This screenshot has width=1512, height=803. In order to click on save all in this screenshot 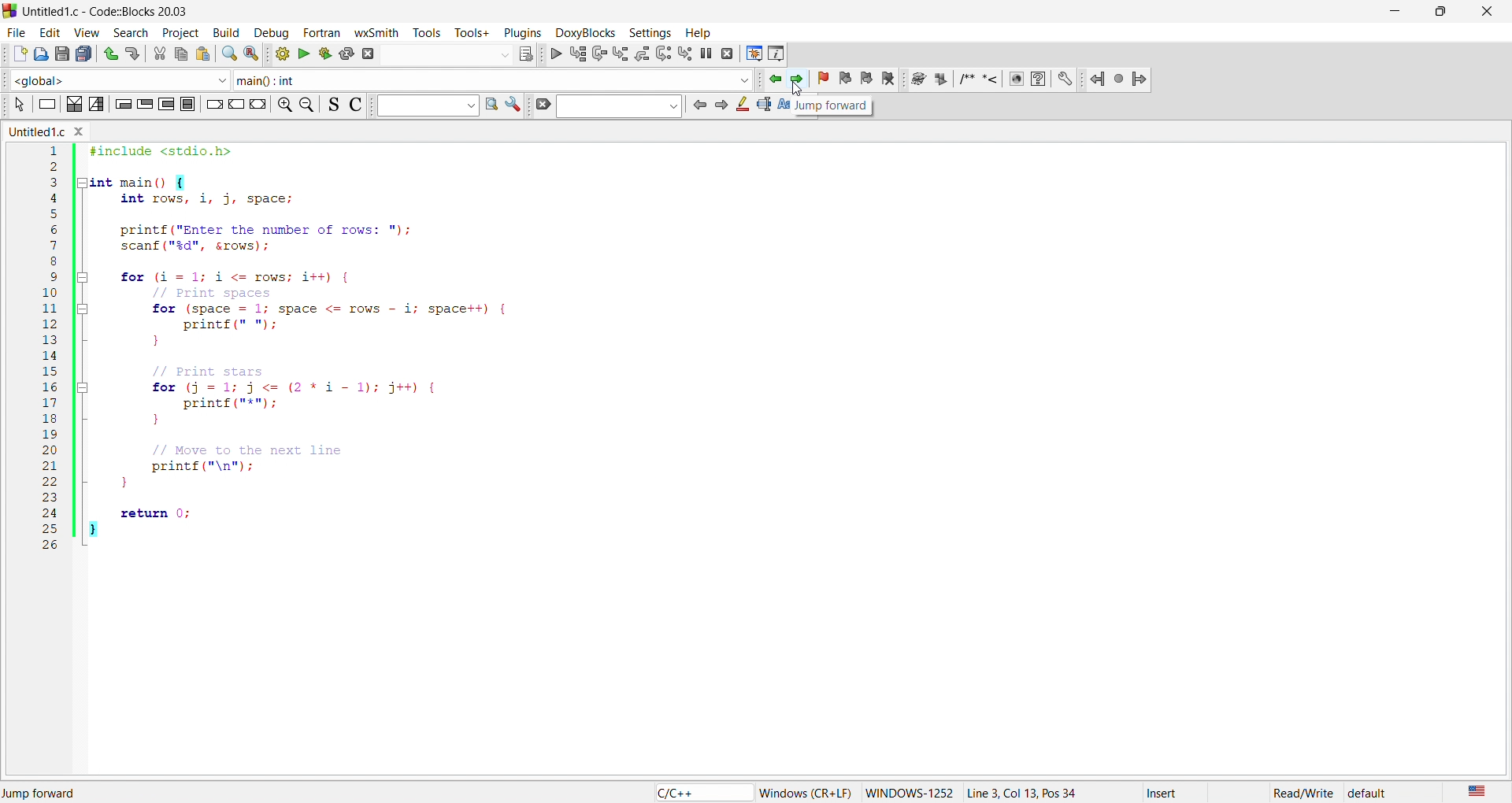, I will do `click(82, 54)`.